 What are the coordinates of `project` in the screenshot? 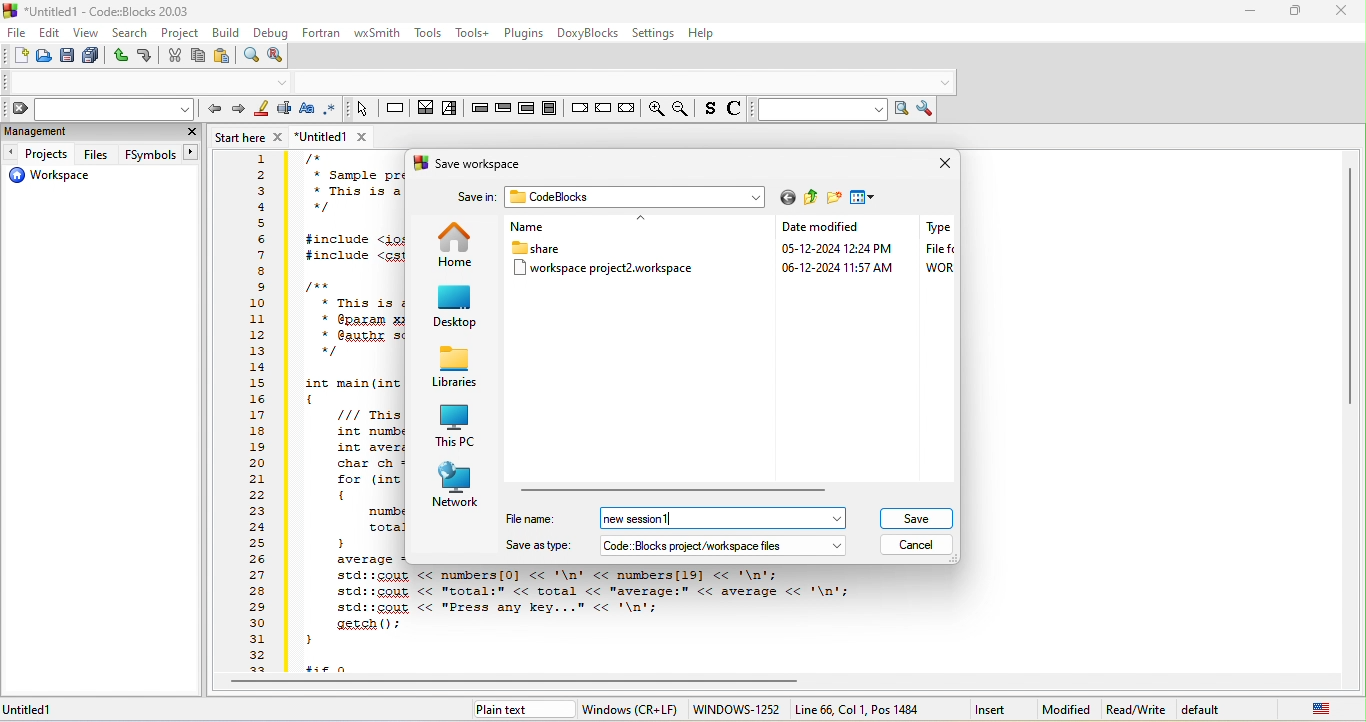 It's located at (182, 34).